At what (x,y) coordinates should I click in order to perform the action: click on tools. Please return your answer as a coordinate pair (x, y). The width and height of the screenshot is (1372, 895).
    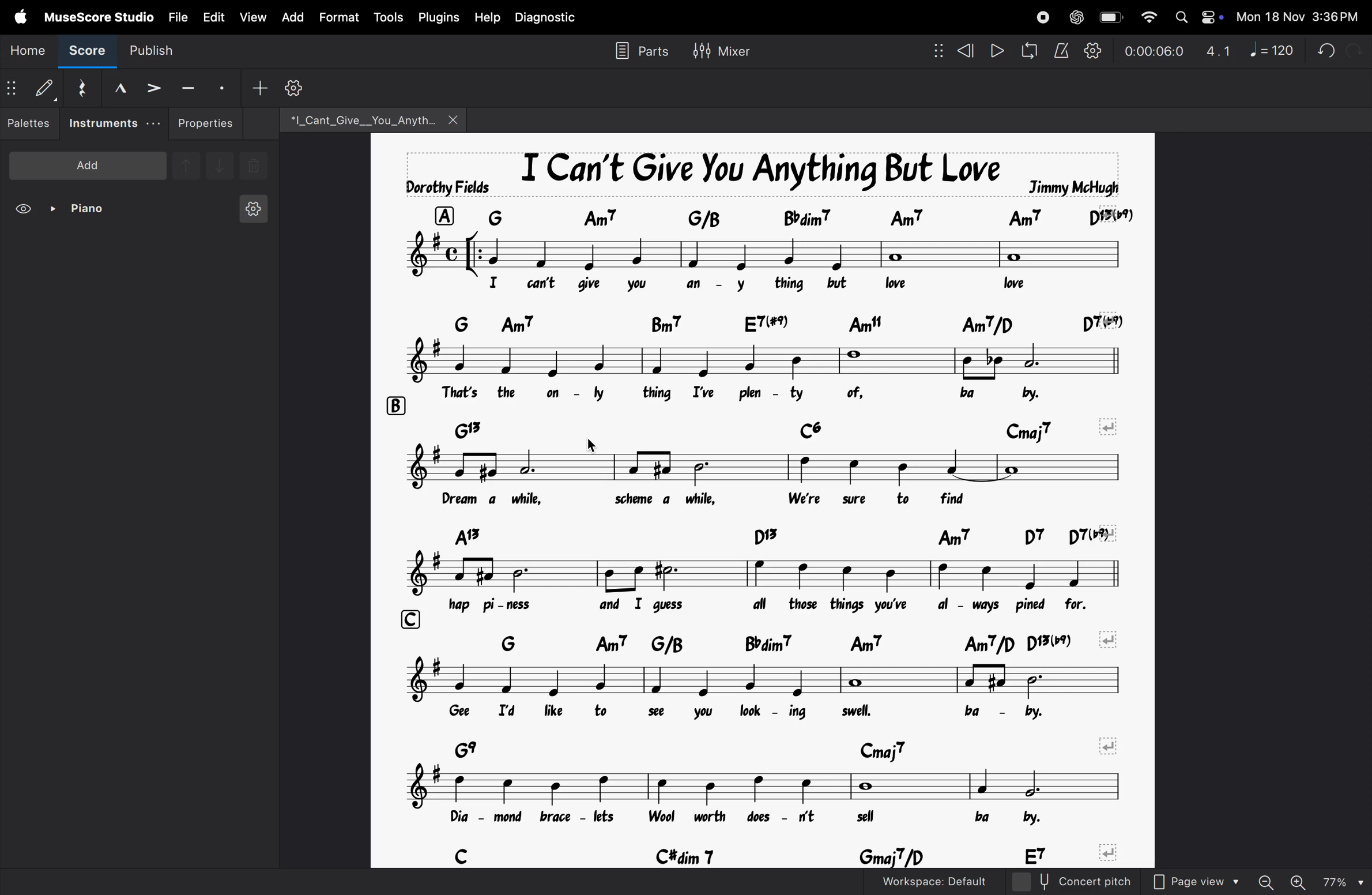
    Looking at the image, I should click on (386, 18).